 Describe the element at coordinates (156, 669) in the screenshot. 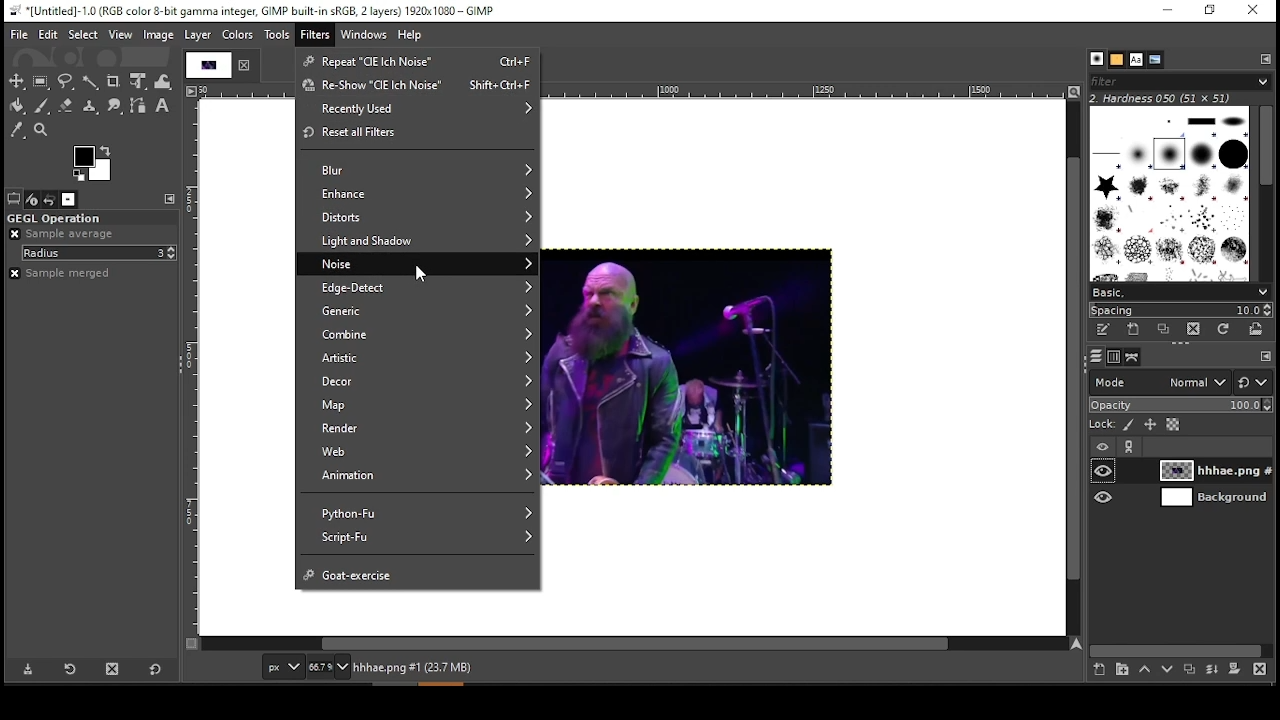

I see `restore to defaults` at that location.